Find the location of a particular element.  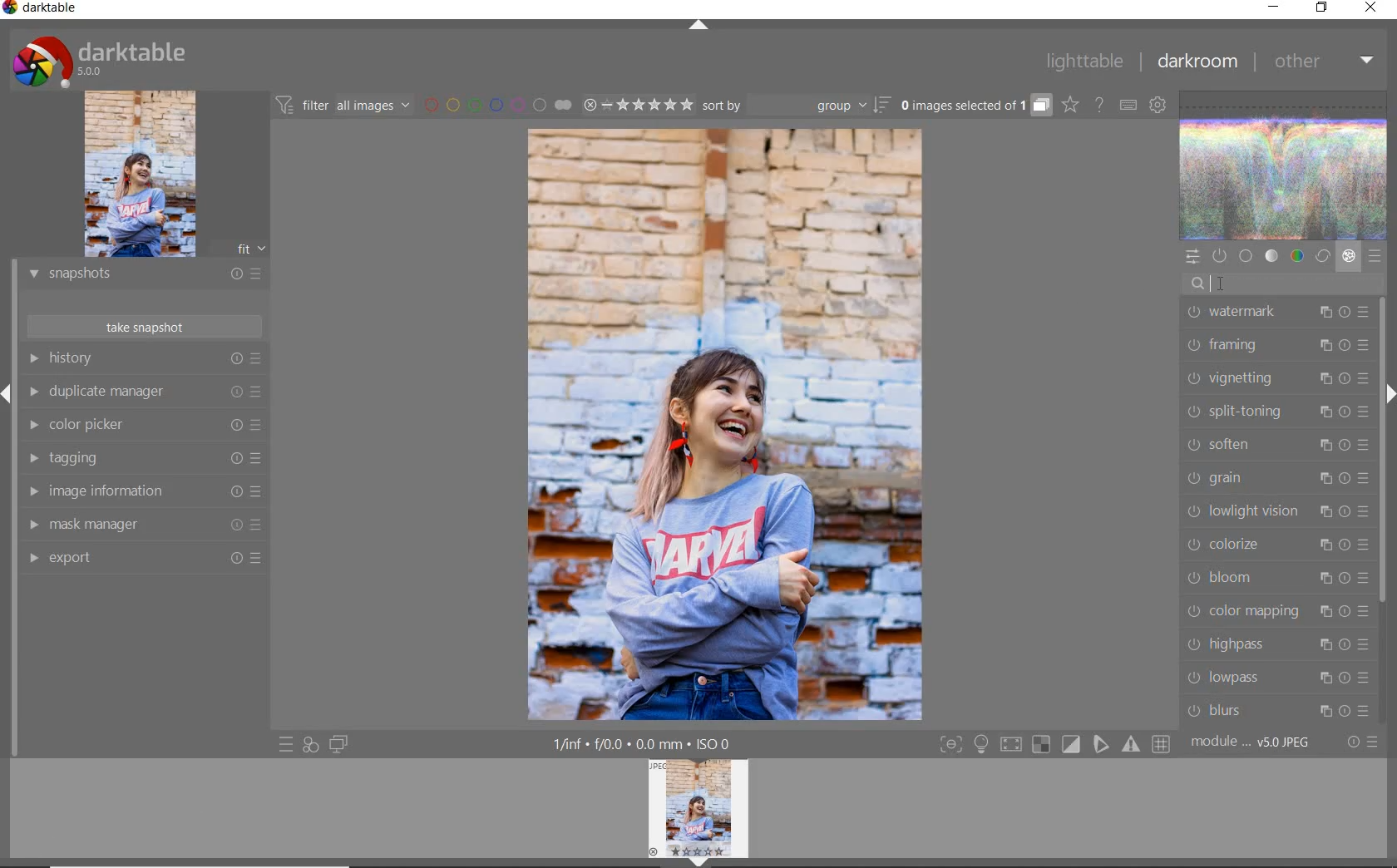

image preview is located at coordinates (703, 812).